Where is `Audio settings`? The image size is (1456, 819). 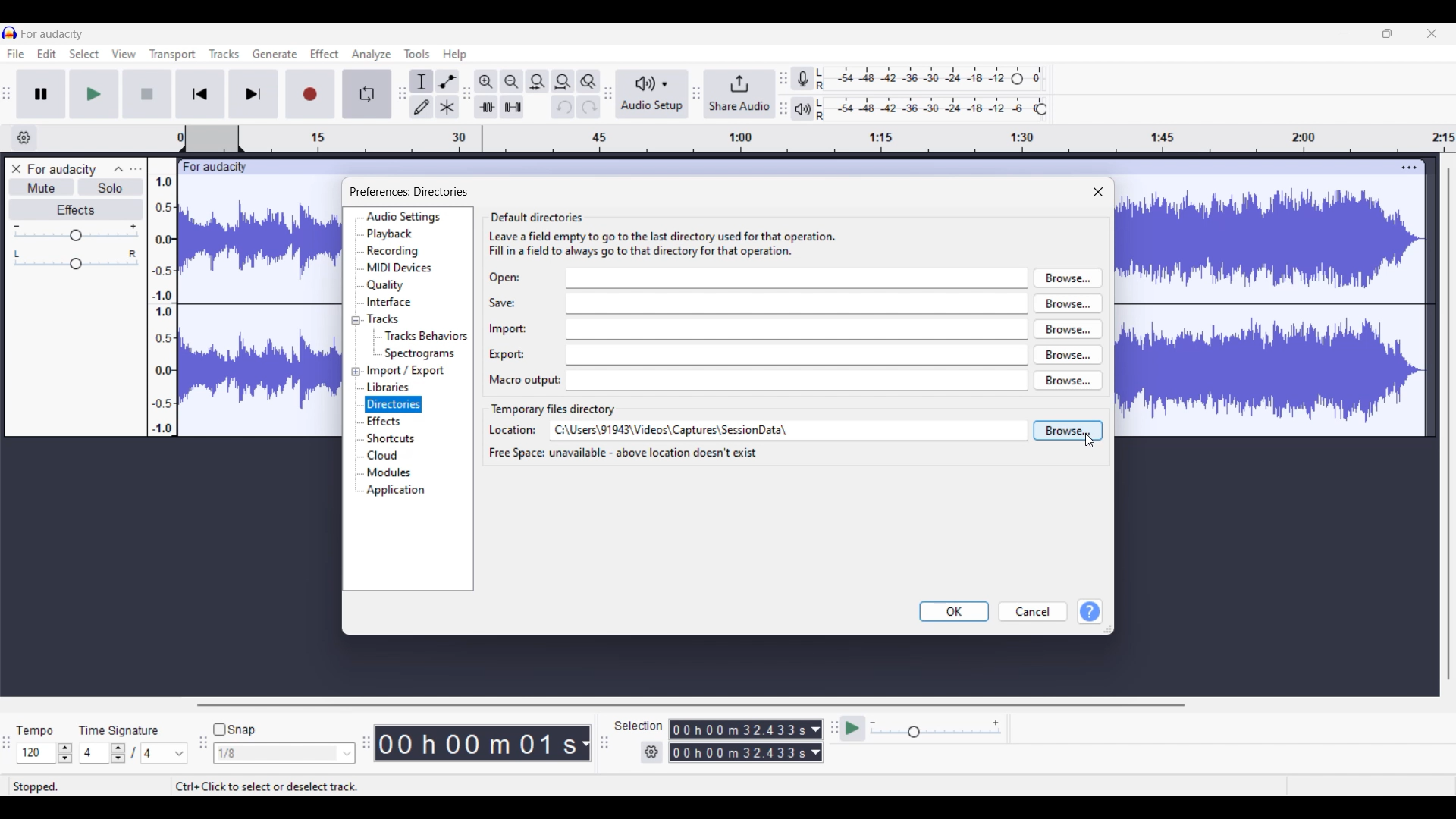 Audio settings is located at coordinates (404, 217).